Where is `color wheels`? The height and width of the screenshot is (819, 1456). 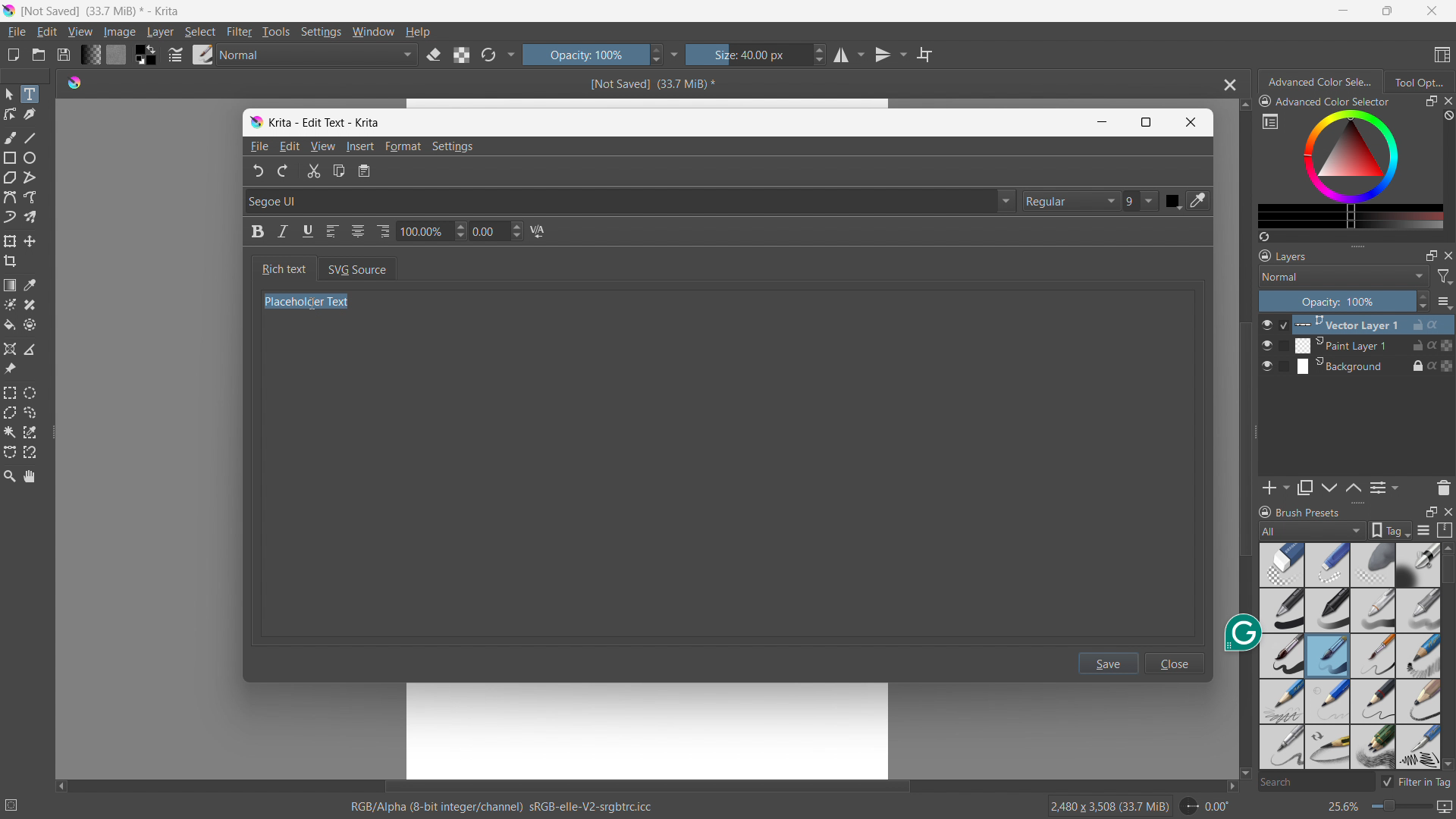
color wheels is located at coordinates (1351, 155).